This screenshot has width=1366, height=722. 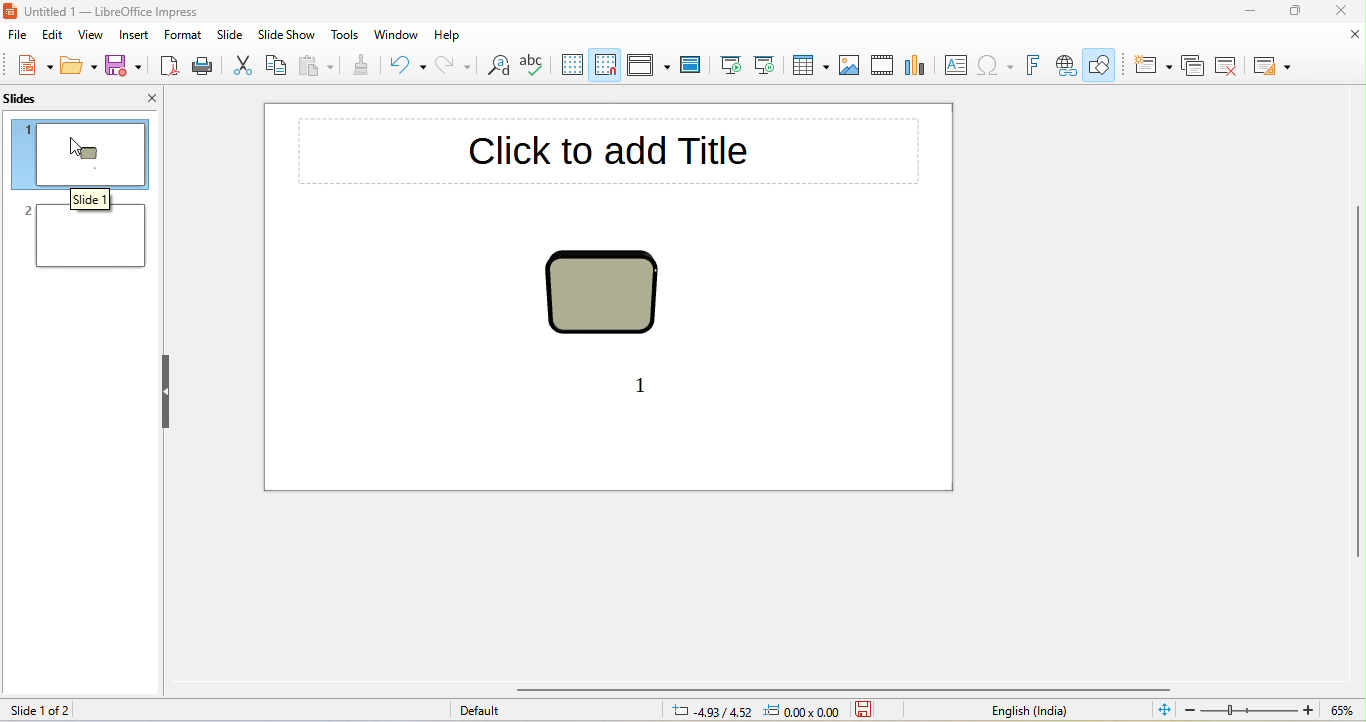 What do you see at coordinates (570, 66) in the screenshot?
I see `display grid` at bounding box center [570, 66].